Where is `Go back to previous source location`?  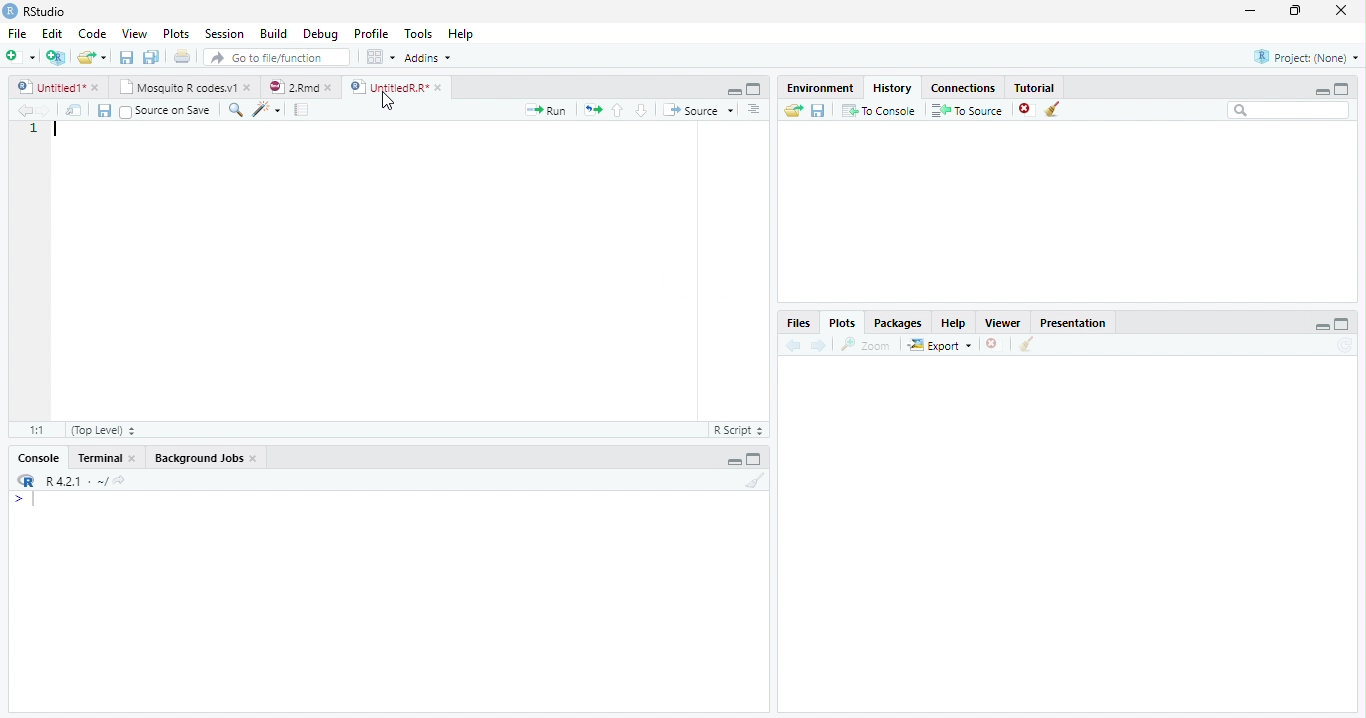 Go back to previous source location is located at coordinates (23, 111).